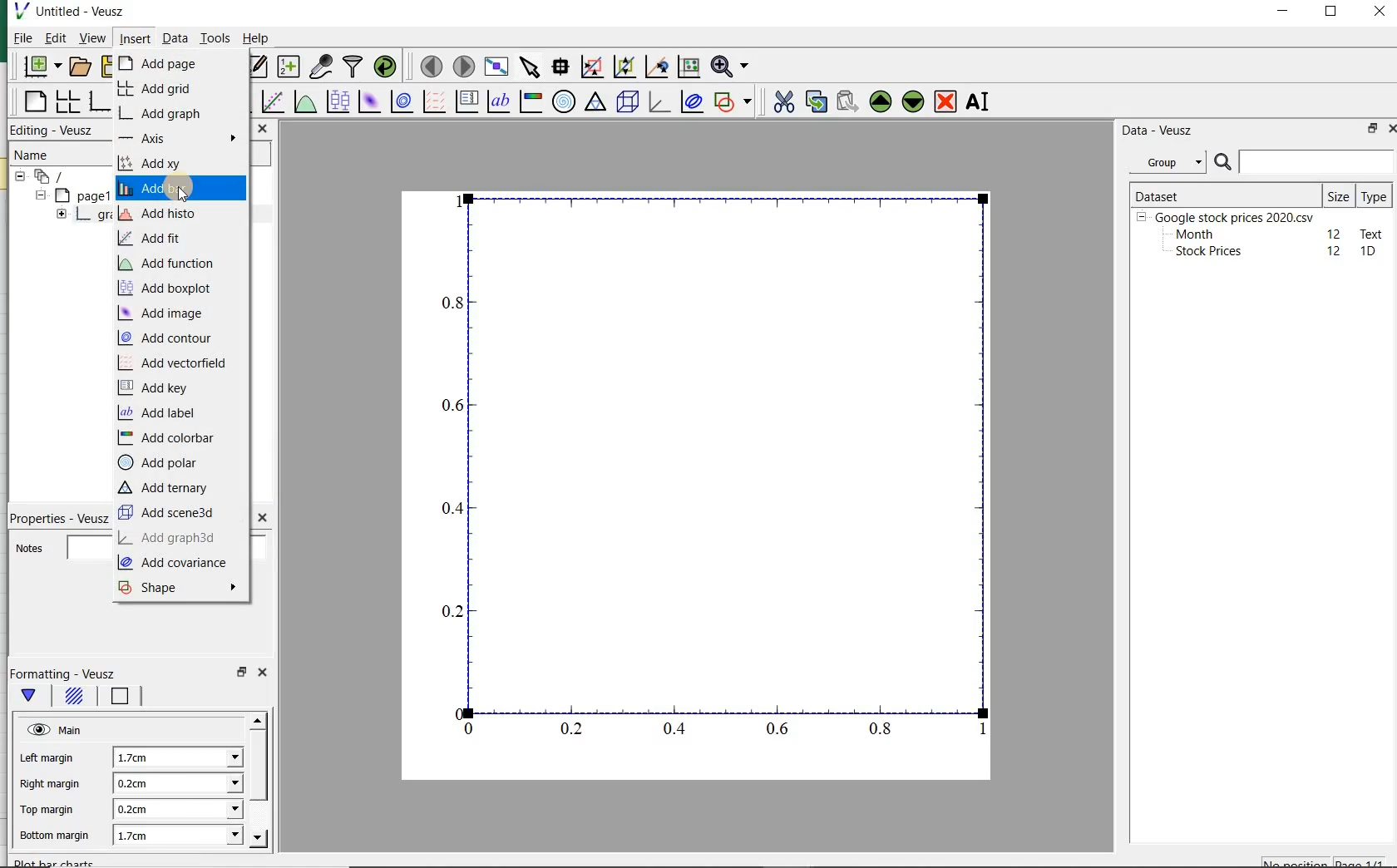 The height and width of the screenshot is (868, 1397). I want to click on Properties - Veusz, so click(62, 517).